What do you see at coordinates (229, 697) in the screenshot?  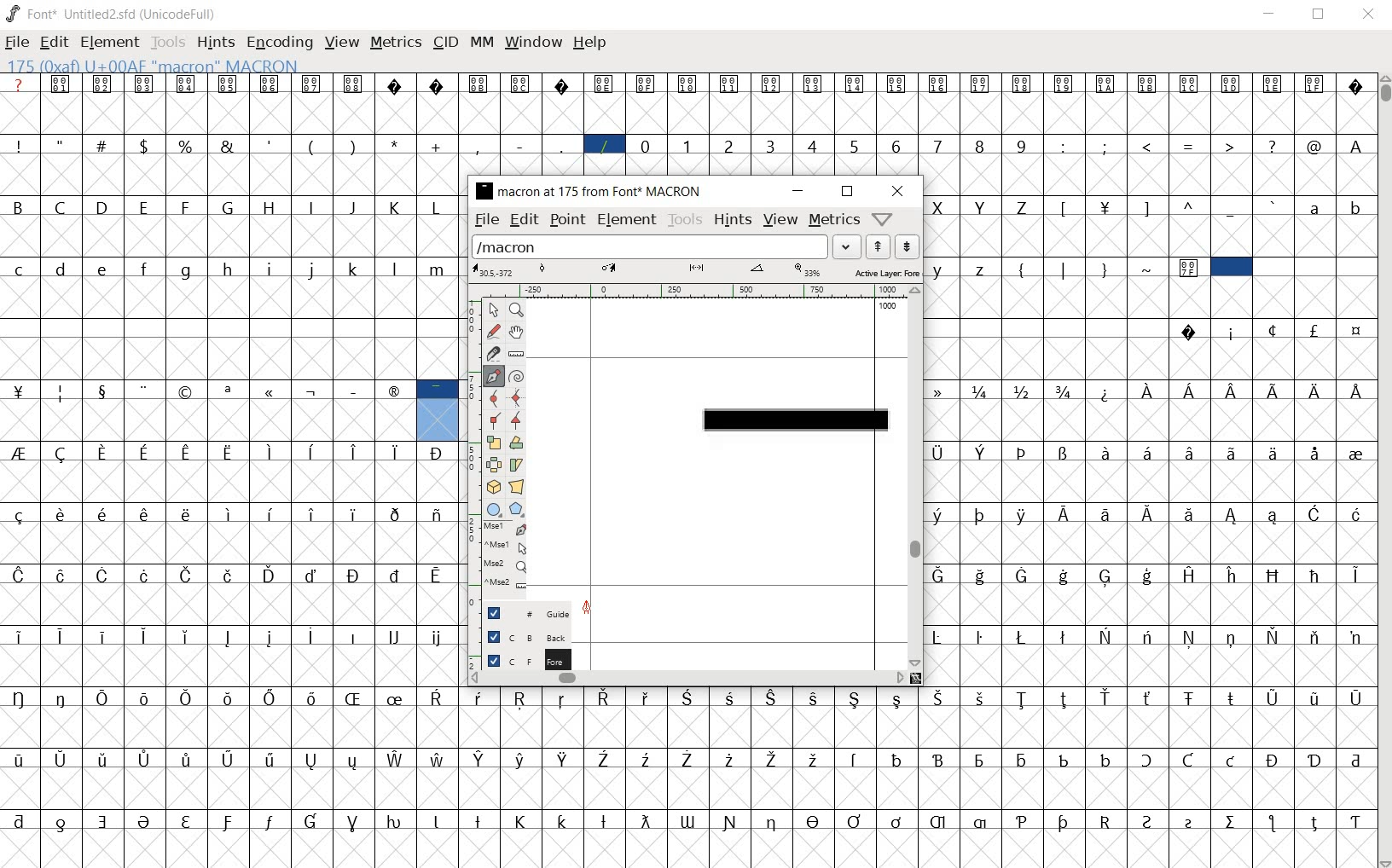 I see `Symbol` at bounding box center [229, 697].